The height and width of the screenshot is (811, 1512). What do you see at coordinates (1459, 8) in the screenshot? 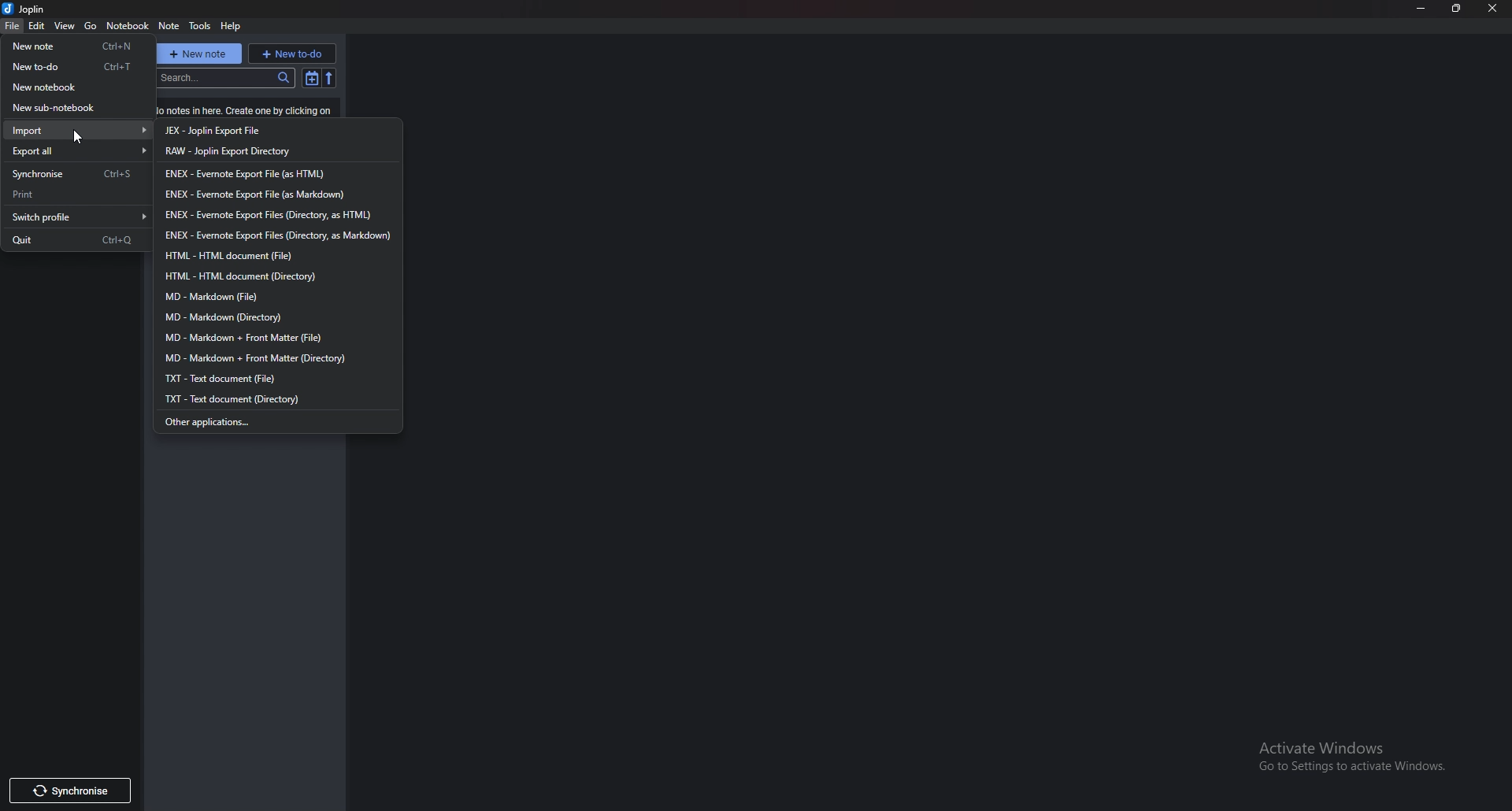
I see `Resize` at bounding box center [1459, 8].